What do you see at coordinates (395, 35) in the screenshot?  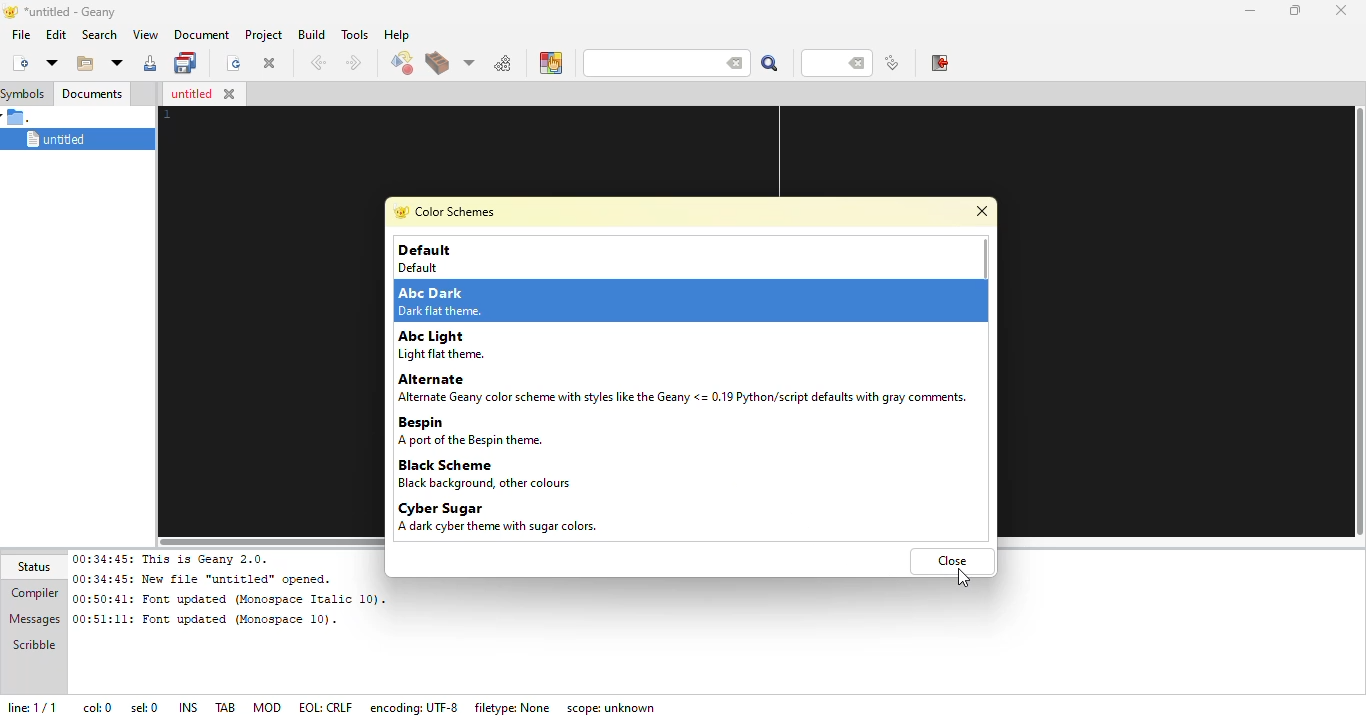 I see `help` at bounding box center [395, 35].